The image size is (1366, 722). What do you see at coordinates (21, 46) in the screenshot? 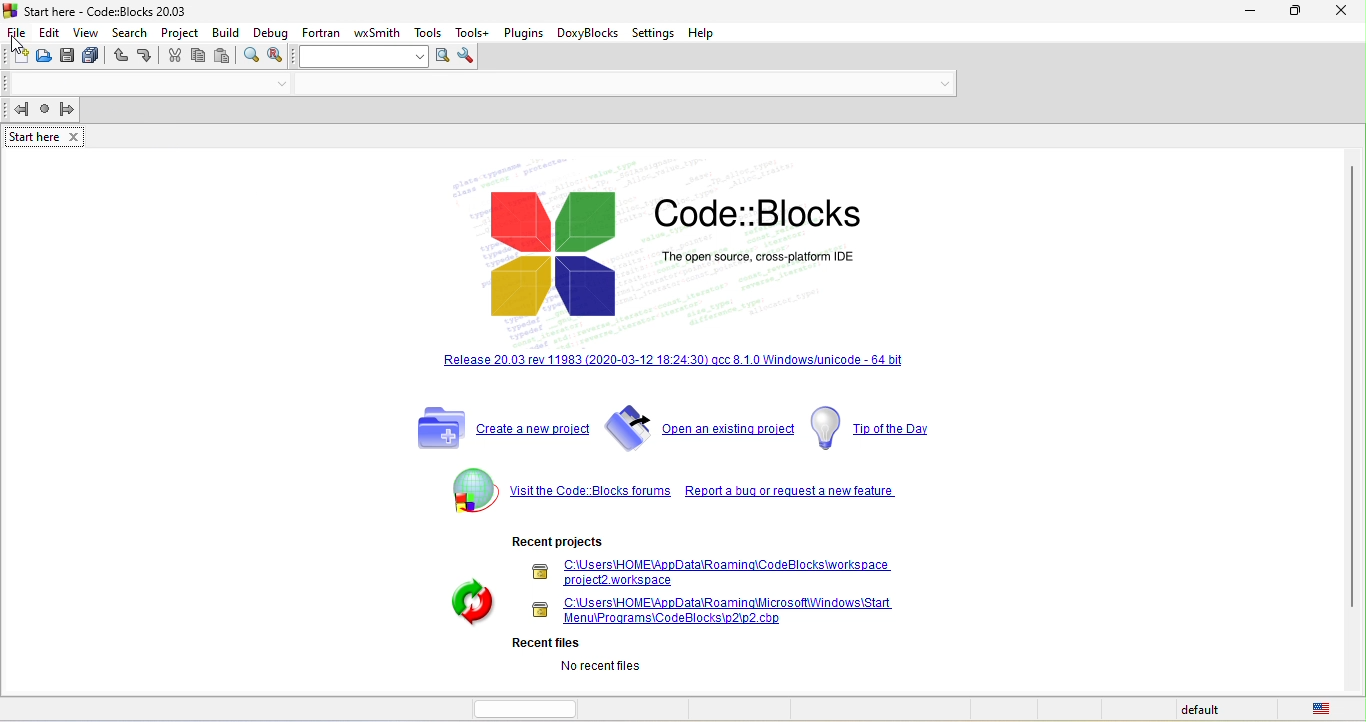
I see `cursor` at bounding box center [21, 46].